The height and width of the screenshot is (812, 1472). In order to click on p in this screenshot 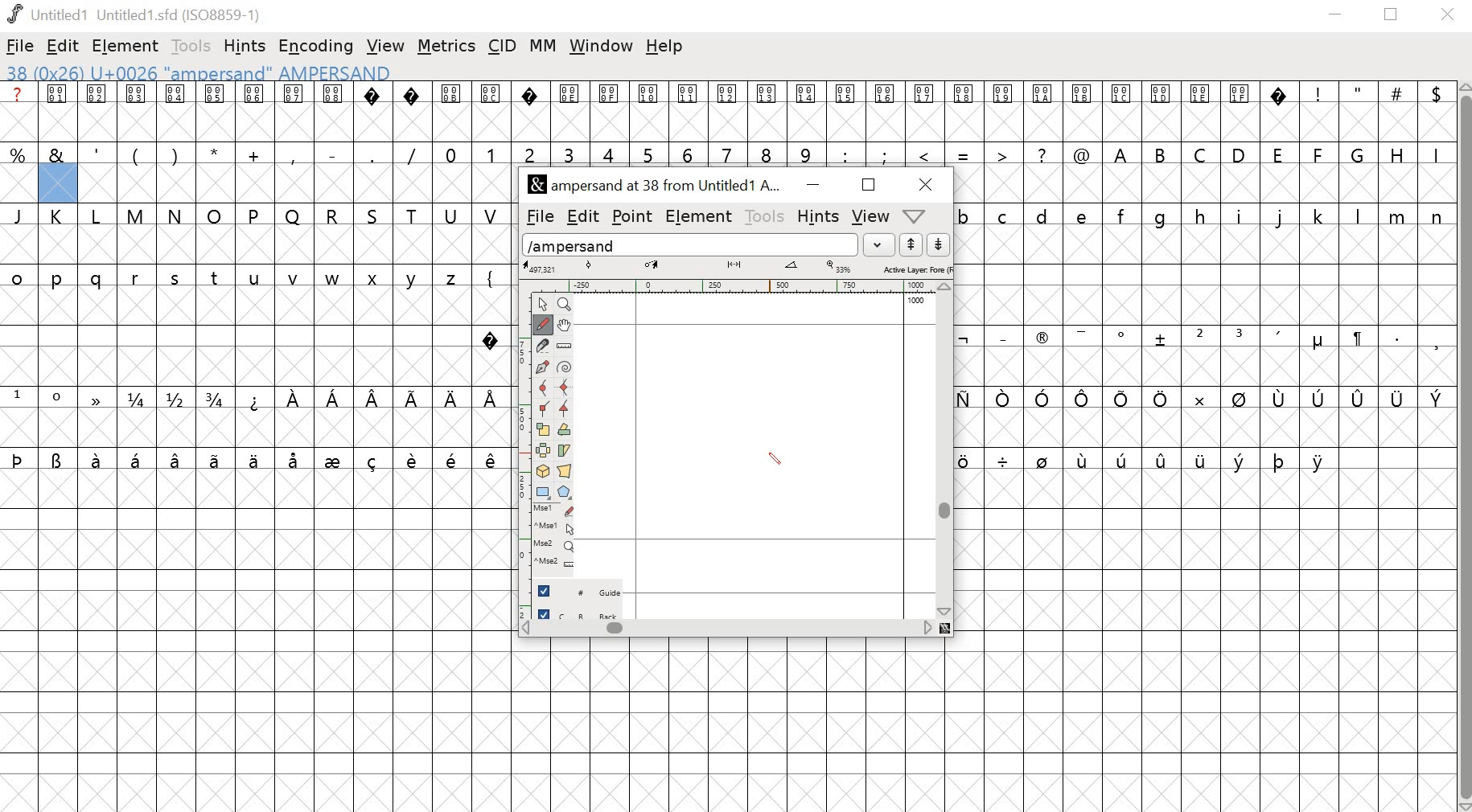, I will do `click(60, 280)`.